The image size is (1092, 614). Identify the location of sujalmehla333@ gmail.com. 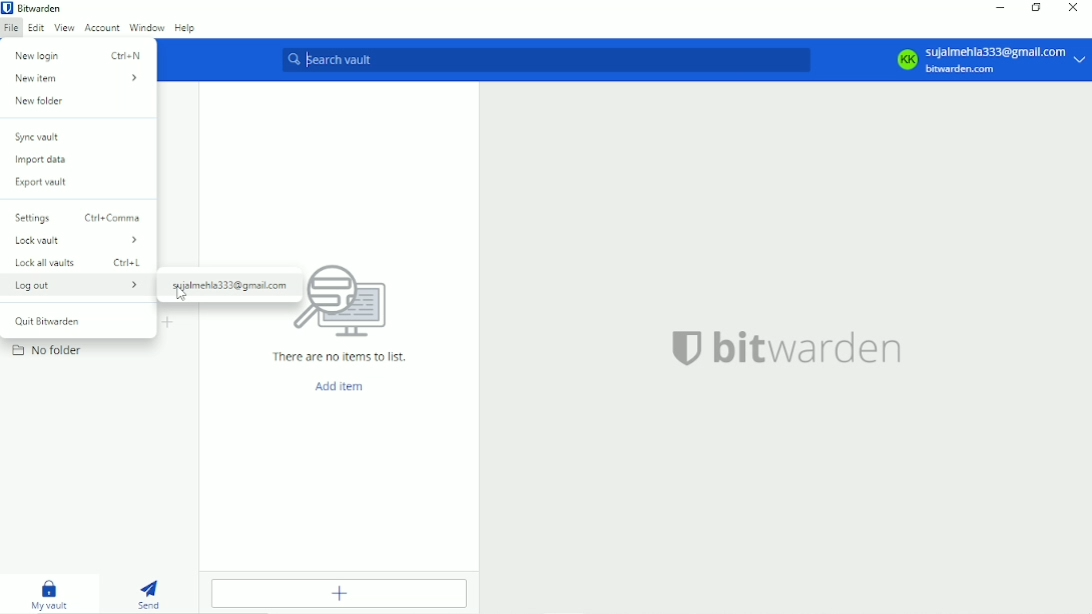
(230, 286).